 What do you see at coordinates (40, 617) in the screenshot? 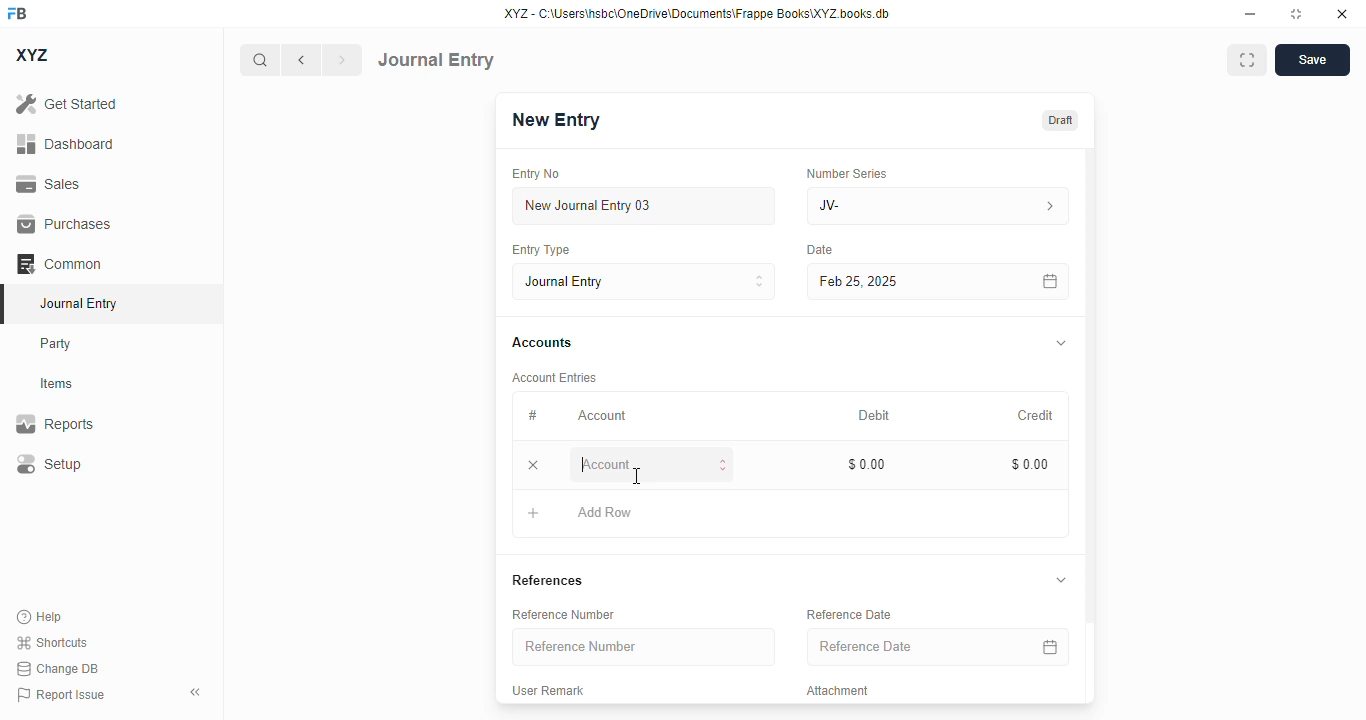
I see `help` at bounding box center [40, 617].